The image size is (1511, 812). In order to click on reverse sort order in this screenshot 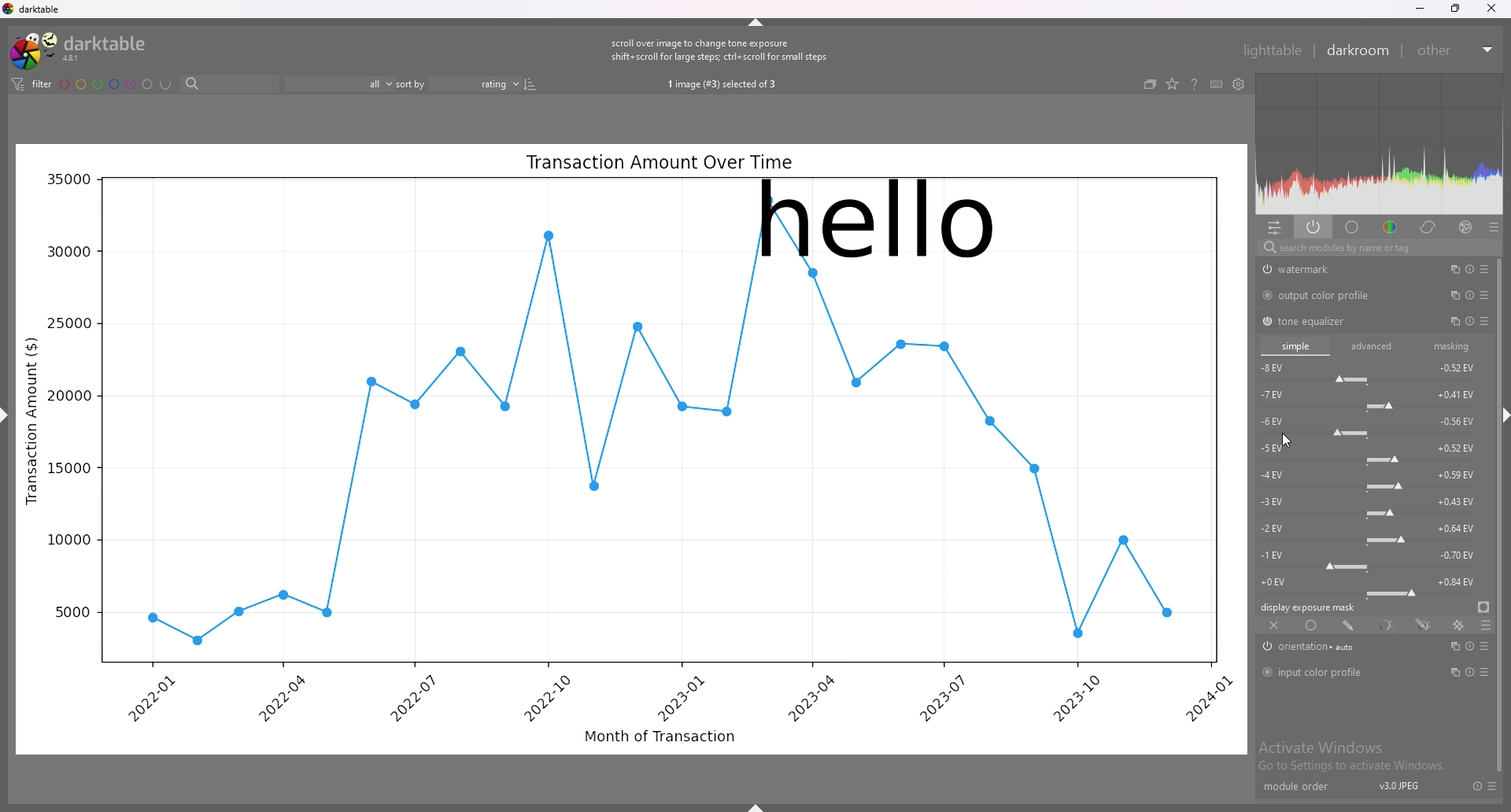, I will do `click(531, 84)`.